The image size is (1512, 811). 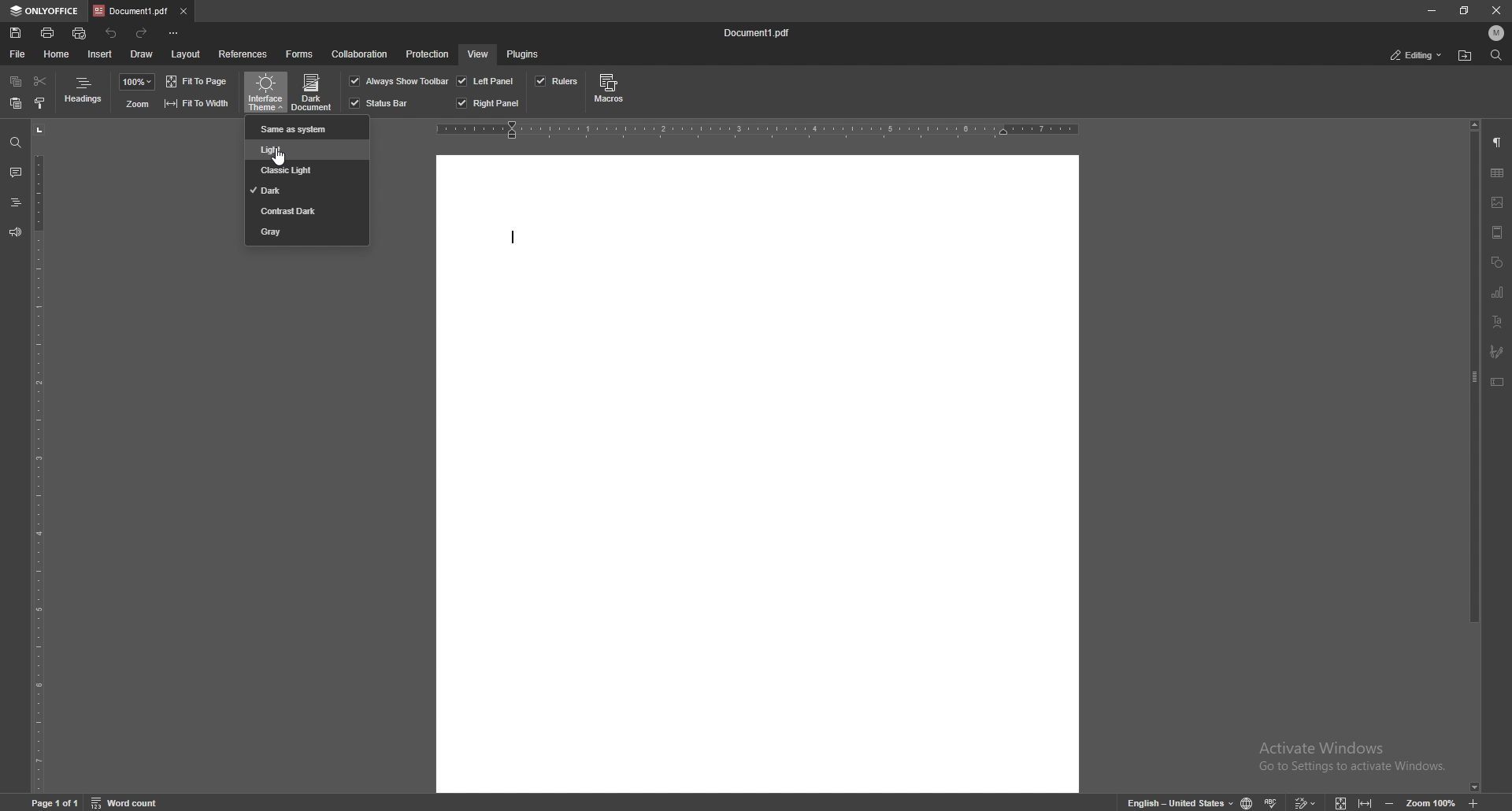 I want to click on text art, so click(x=1497, y=322).